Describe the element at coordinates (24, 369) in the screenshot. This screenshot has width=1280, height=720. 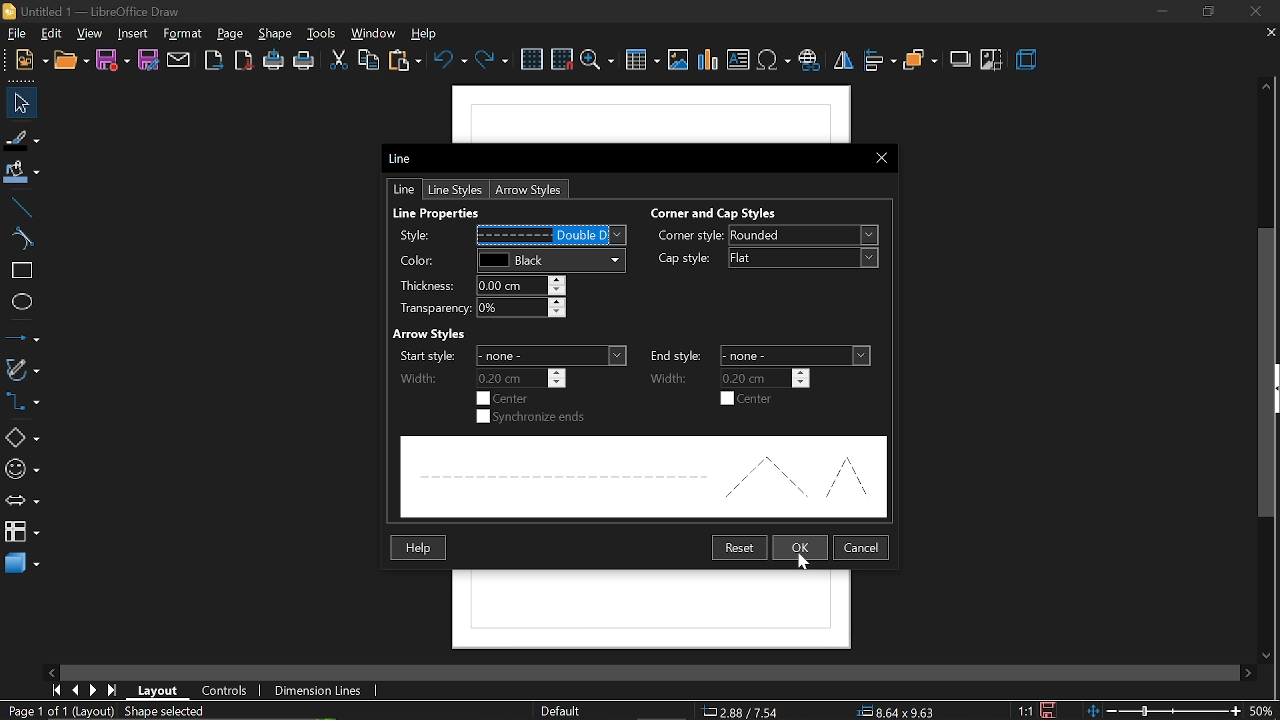
I see `curves and polygons` at that location.